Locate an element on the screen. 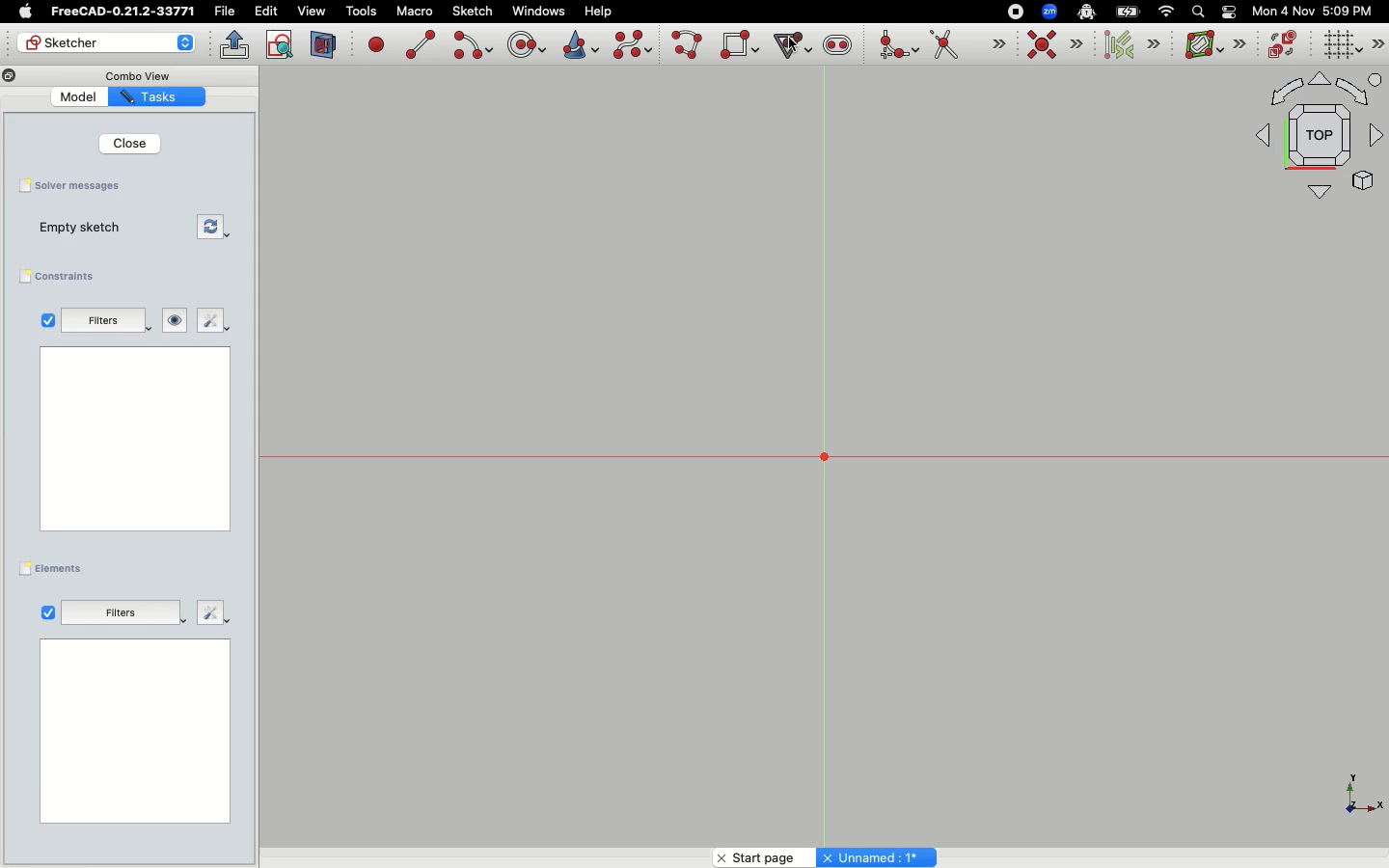 This screenshot has width=1389, height=868. Search is located at coordinates (1197, 11).